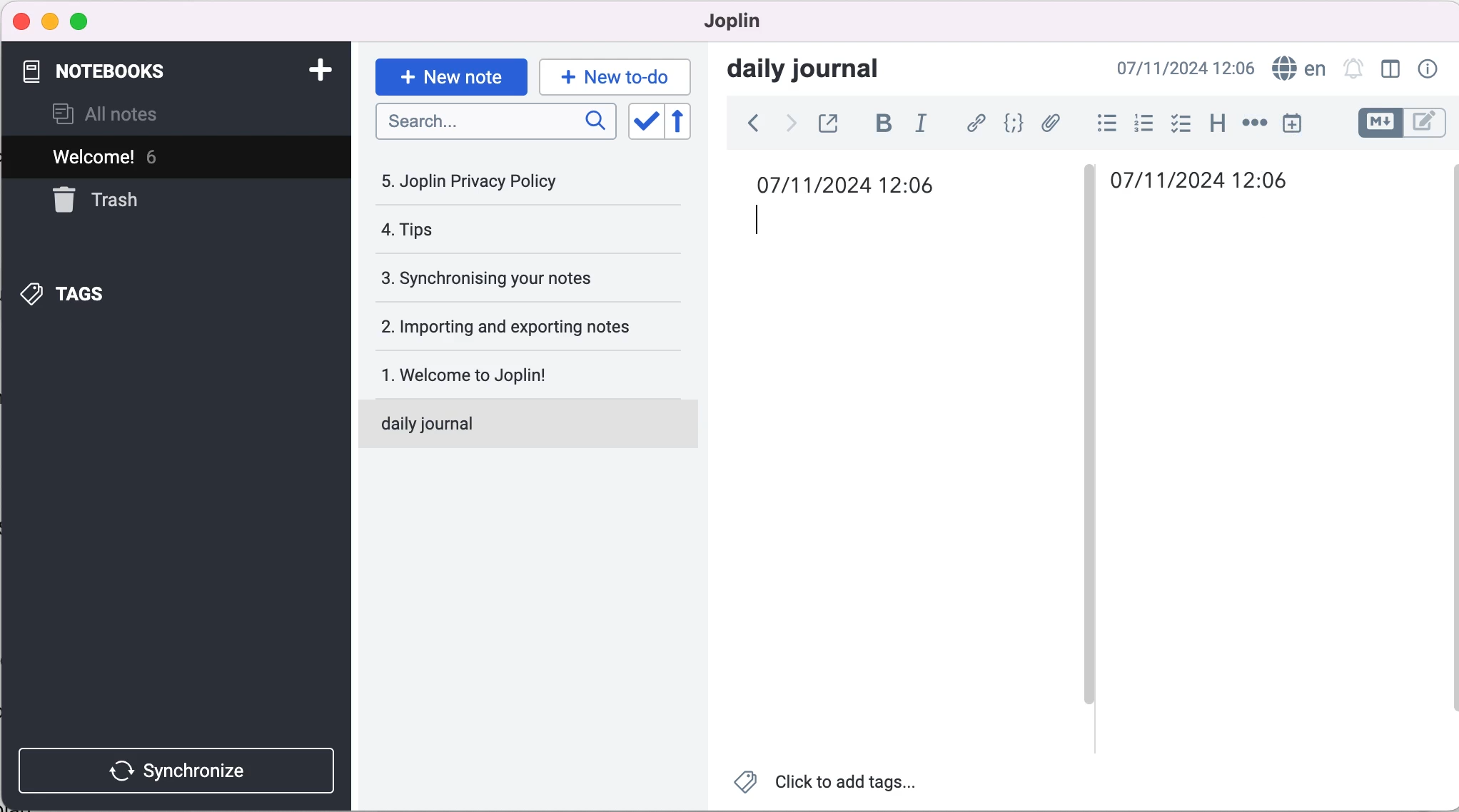  What do you see at coordinates (1101, 122) in the screenshot?
I see `bulleted list` at bounding box center [1101, 122].